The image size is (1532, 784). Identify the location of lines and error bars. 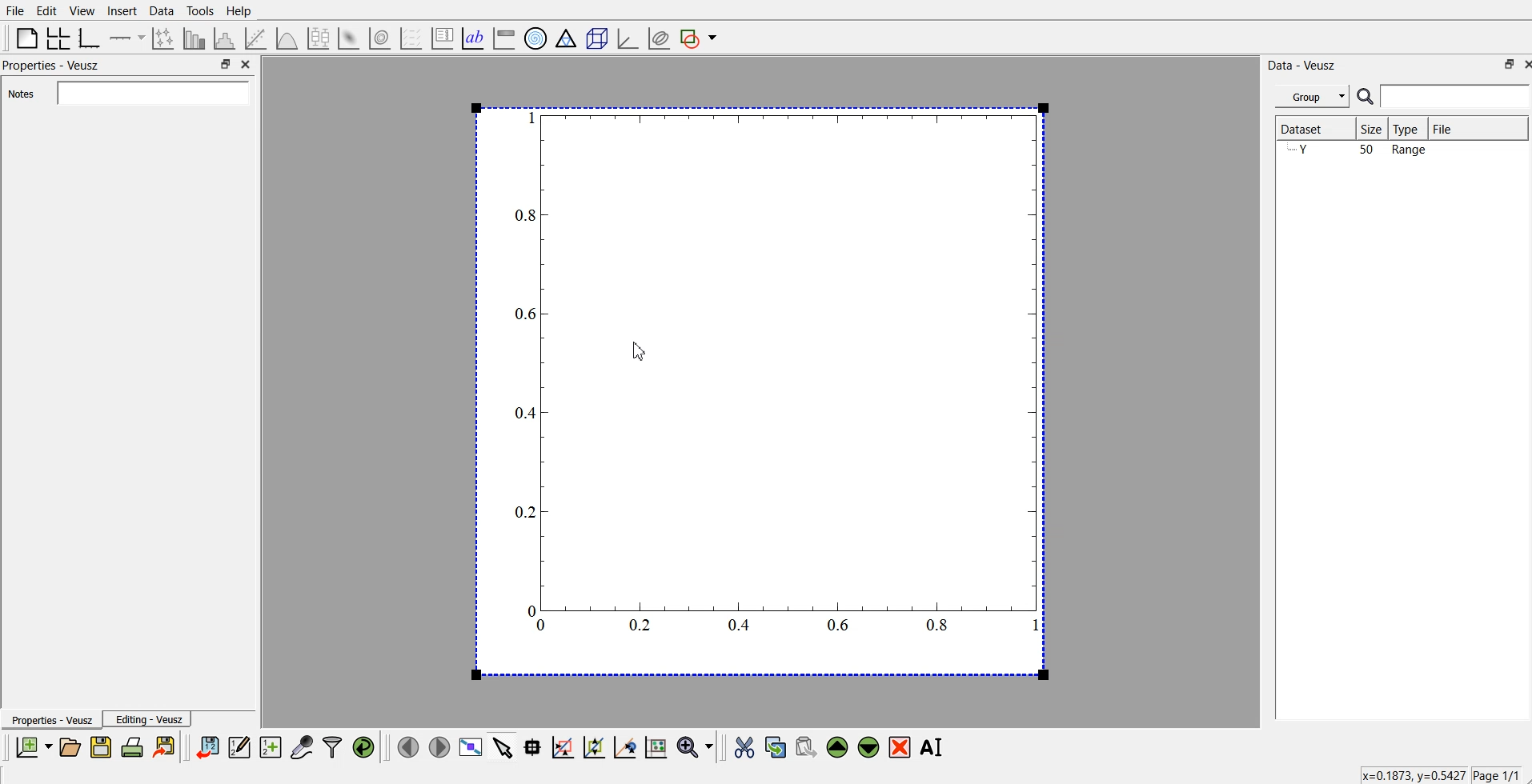
(165, 38).